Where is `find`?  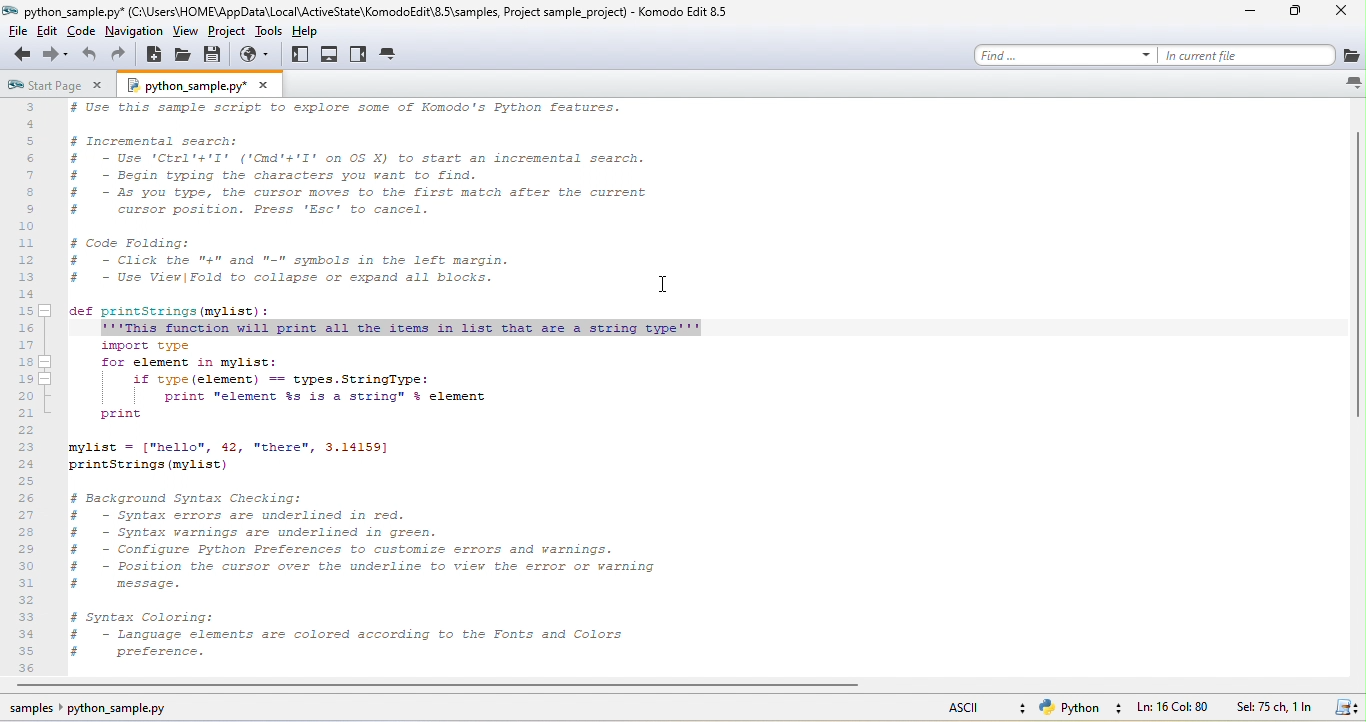 find is located at coordinates (1065, 54).